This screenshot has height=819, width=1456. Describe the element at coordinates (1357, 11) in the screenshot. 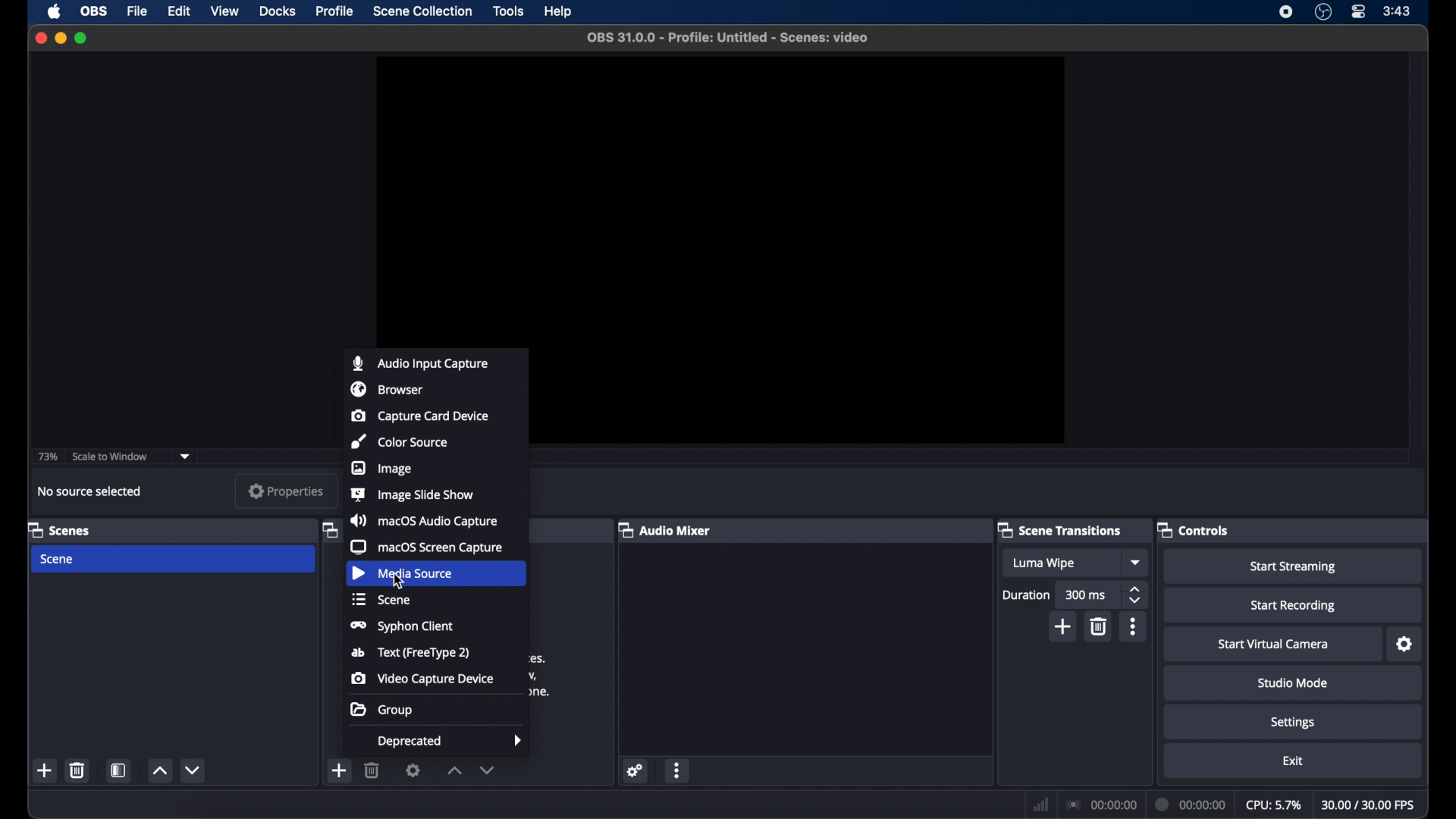

I see `control center` at that location.